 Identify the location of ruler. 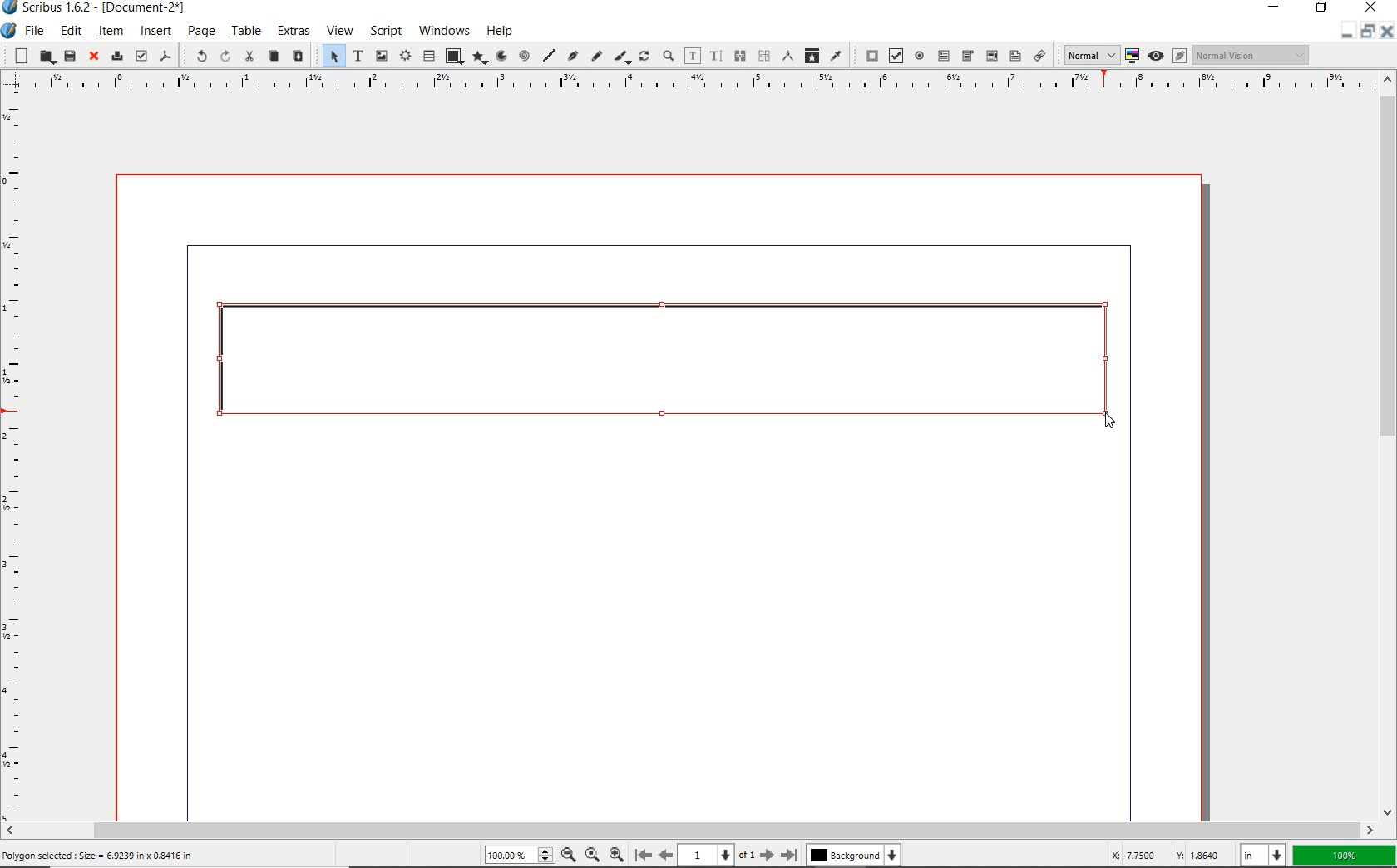
(692, 84).